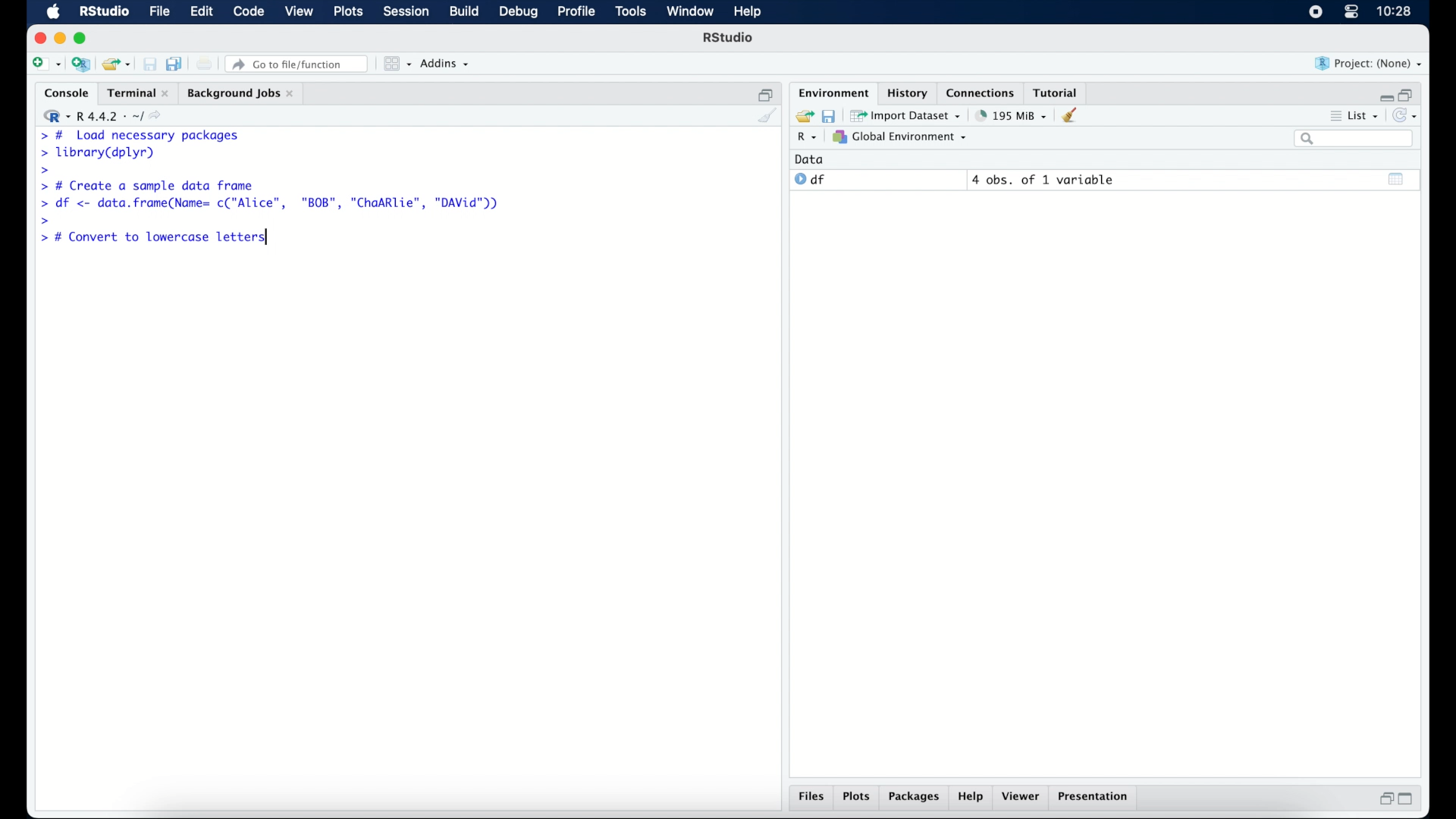  What do you see at coordinates (158, 12) in the screenshot?
I see `file` at bounding box center [158, 12].